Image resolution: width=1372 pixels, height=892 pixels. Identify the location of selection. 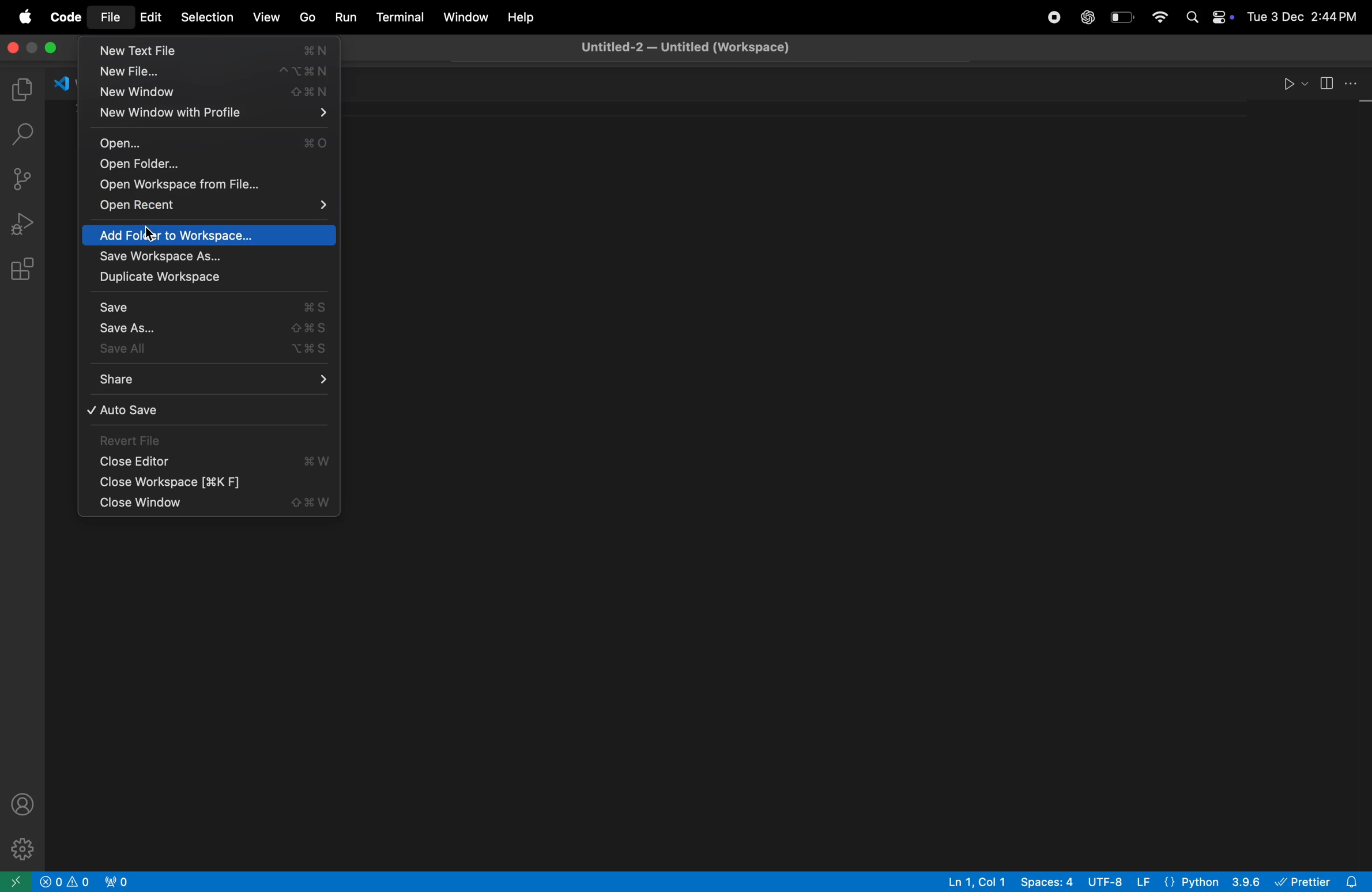
(208, 17).